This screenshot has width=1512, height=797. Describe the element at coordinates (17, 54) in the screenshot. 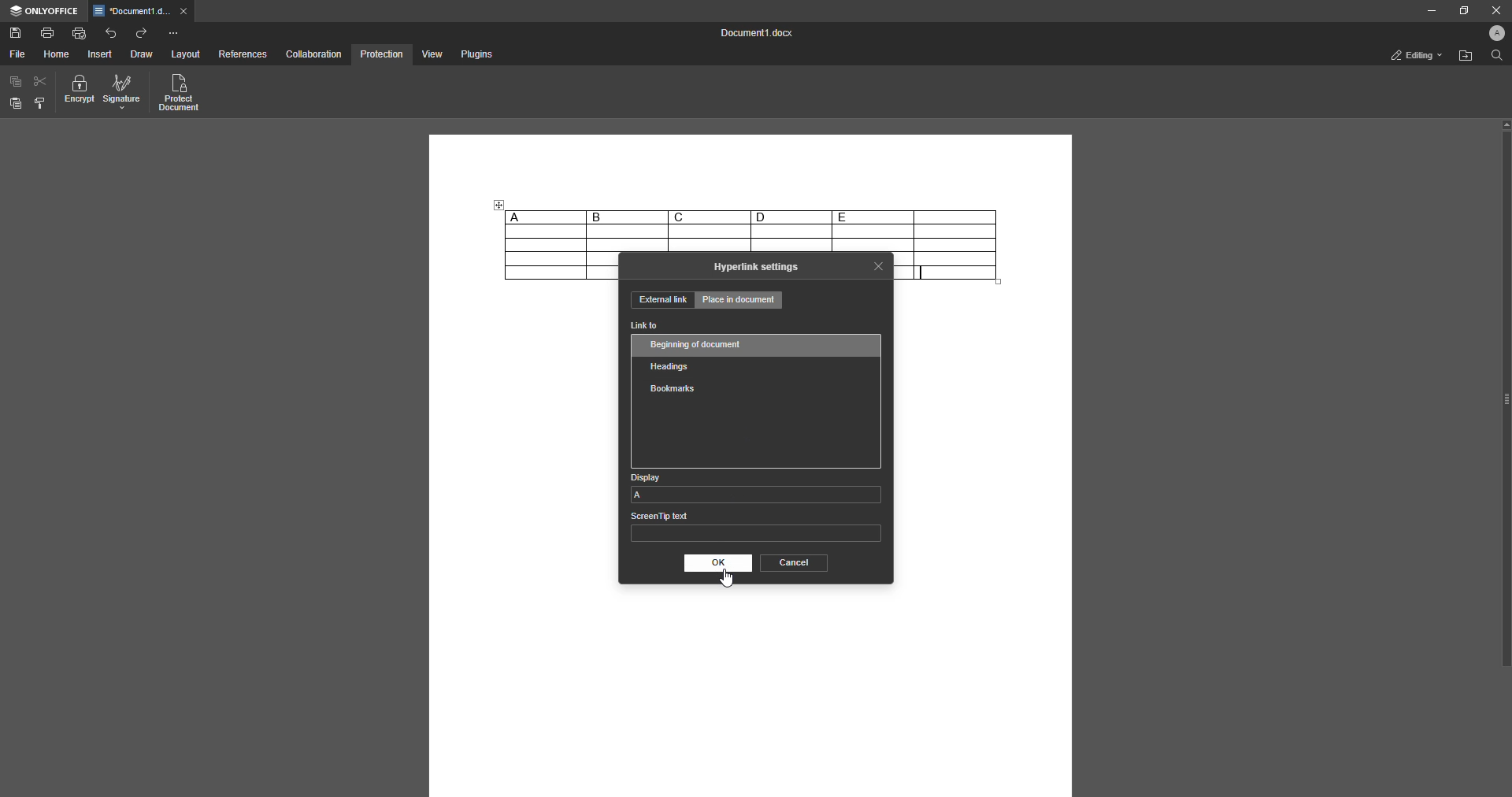

I see `File` at that location.